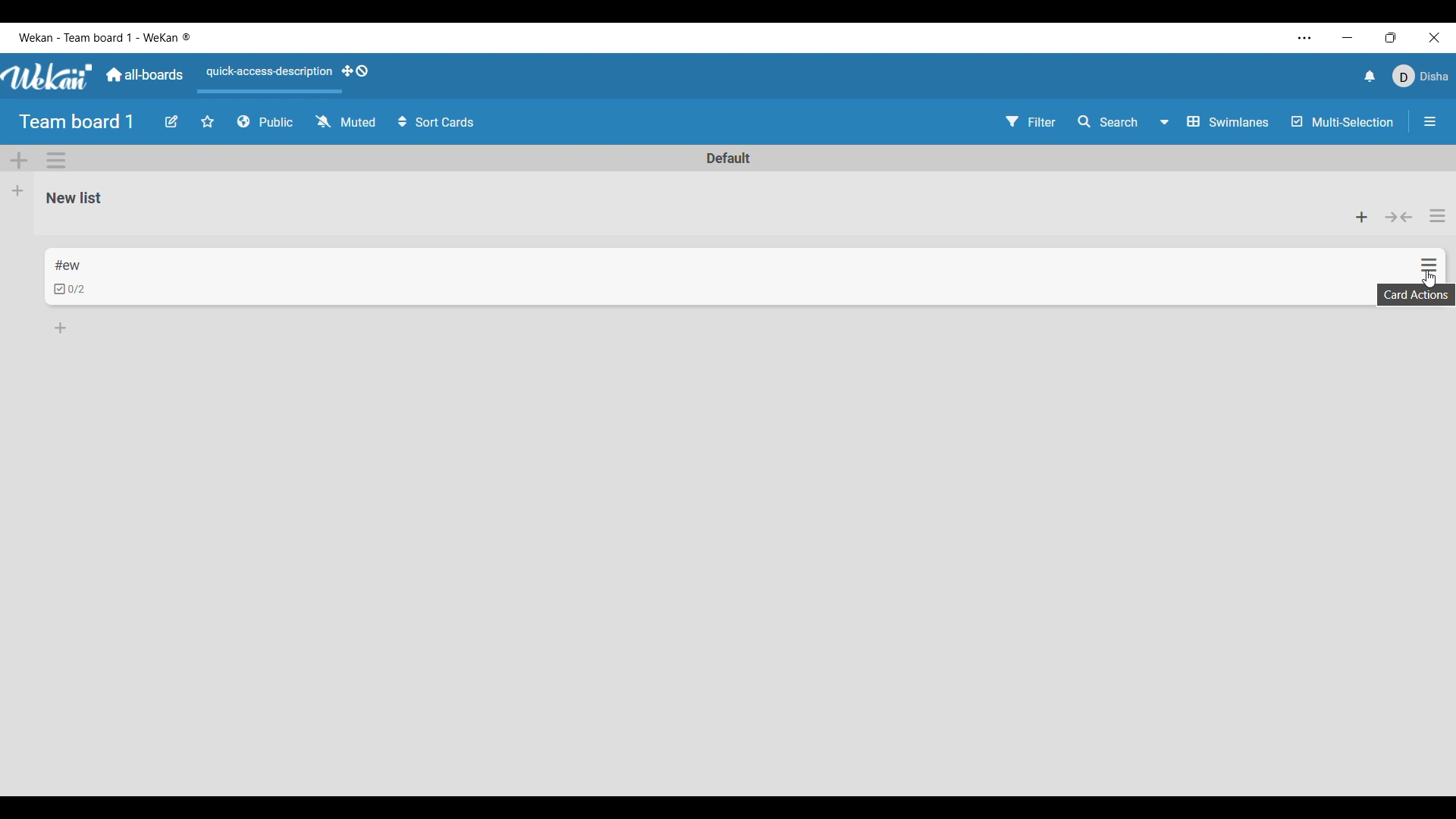  What do you see at coordinates (265, 122) in the screenshot?
I see `Board privacy options` at bounding box center [265, 122].